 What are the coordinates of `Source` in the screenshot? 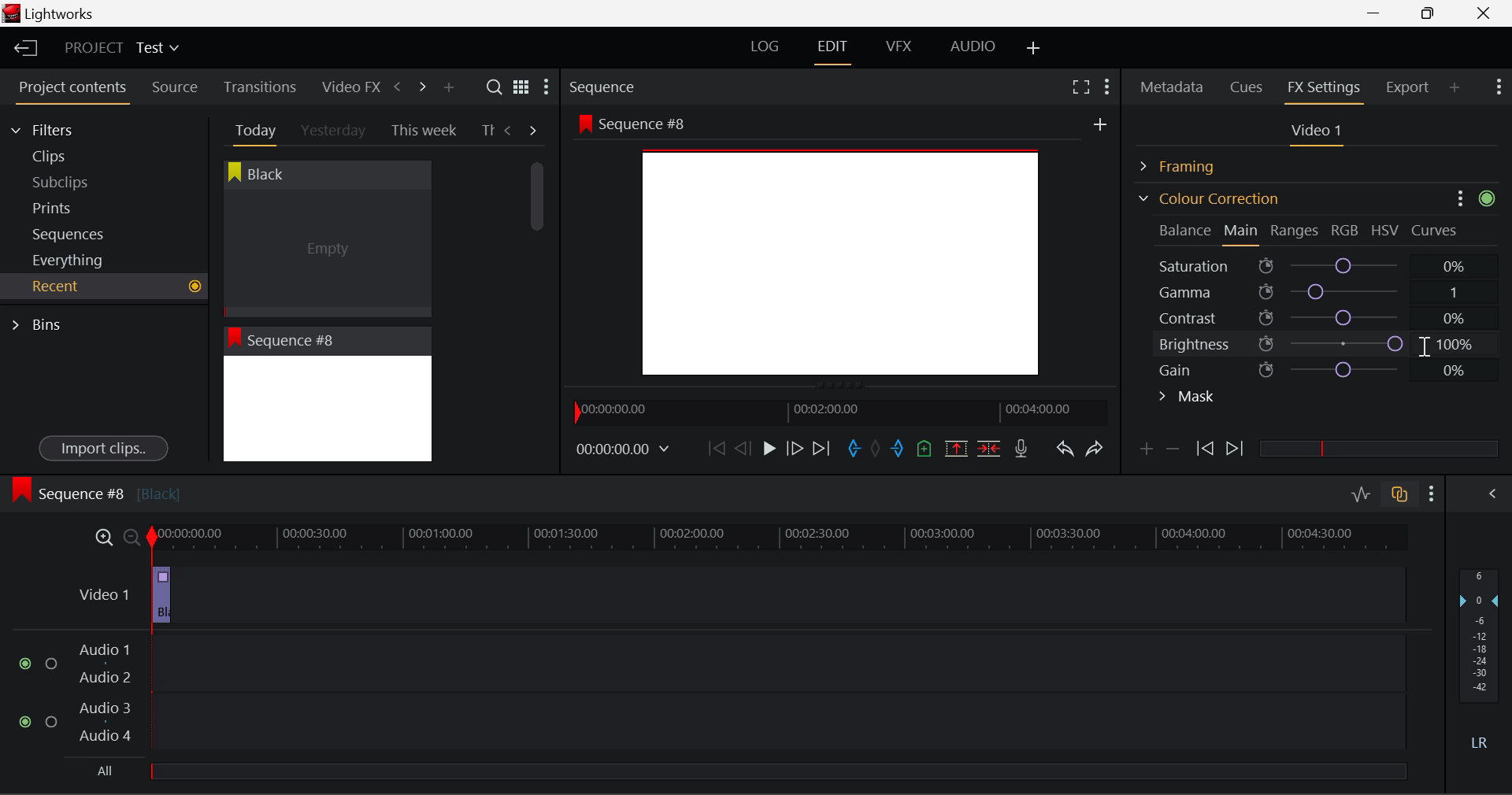 It's located at (175, 87).